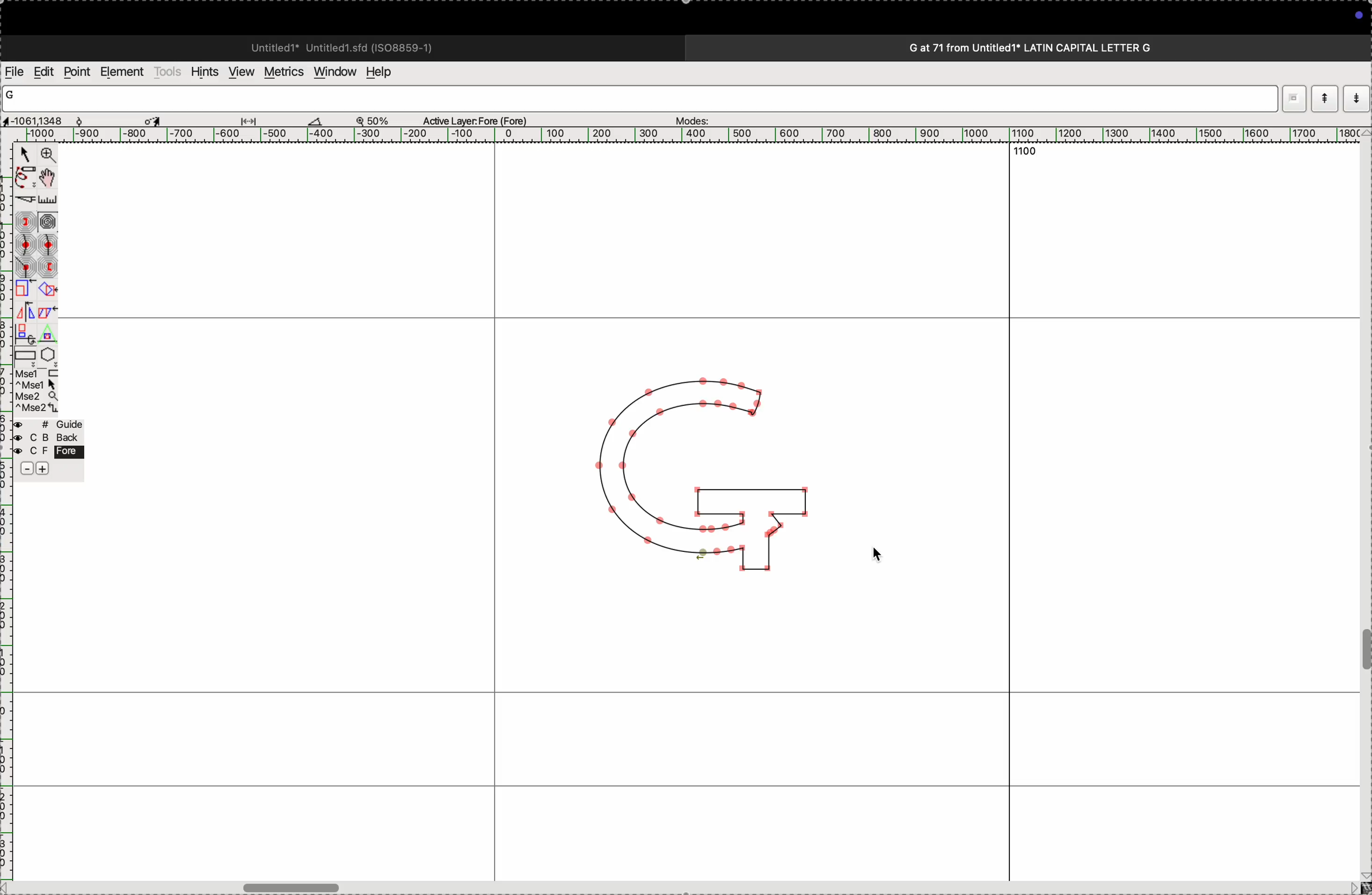 This screenshot has height=895, width=1372. Describe the element at coordinates (285, 71) in the screenshot. I see `metrics` at that location.